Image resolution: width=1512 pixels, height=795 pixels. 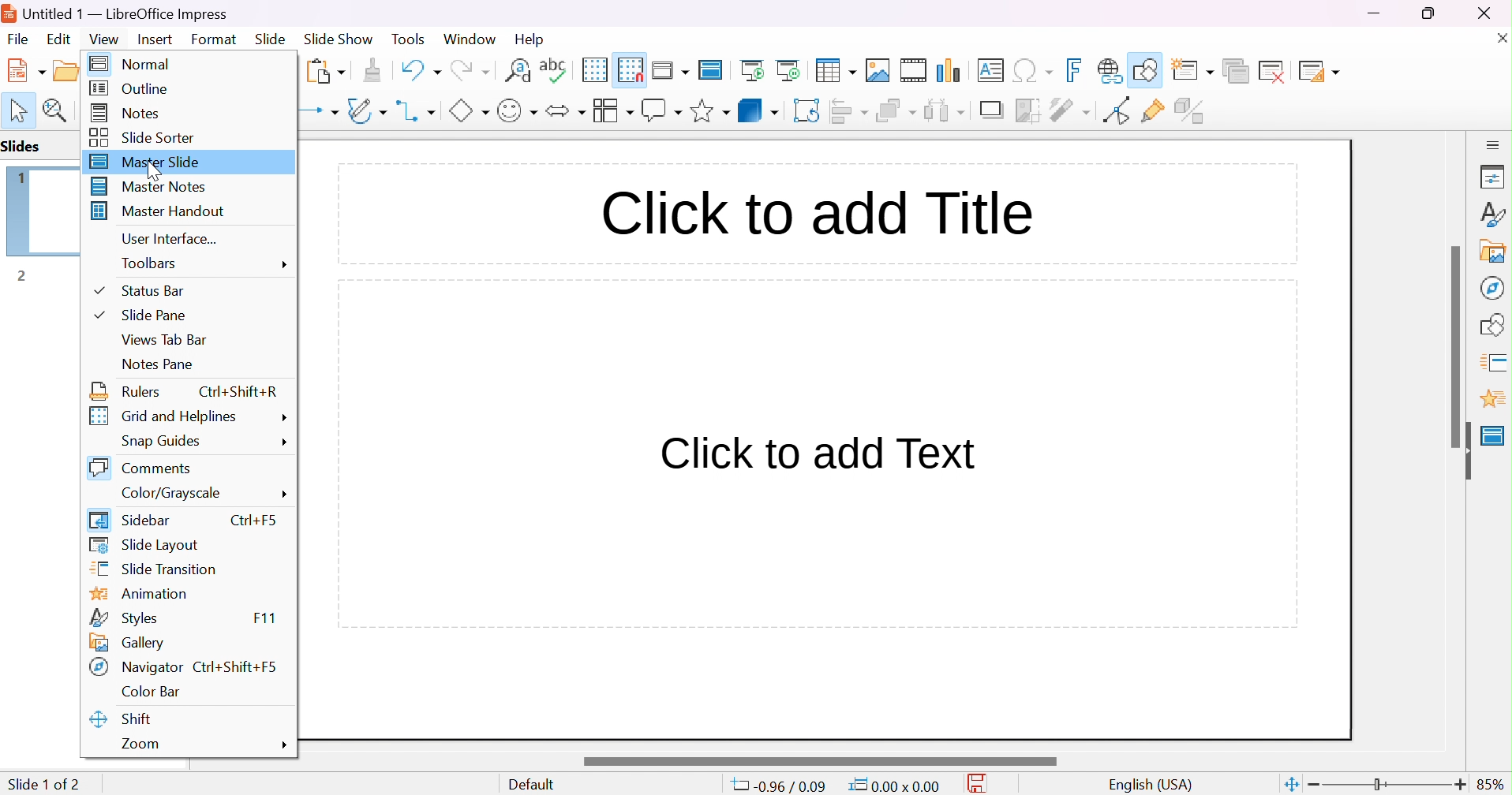 What do you see at coordinates (138, 290) in the screenshot?
I see `status bar` at bounding box center [138, 290].